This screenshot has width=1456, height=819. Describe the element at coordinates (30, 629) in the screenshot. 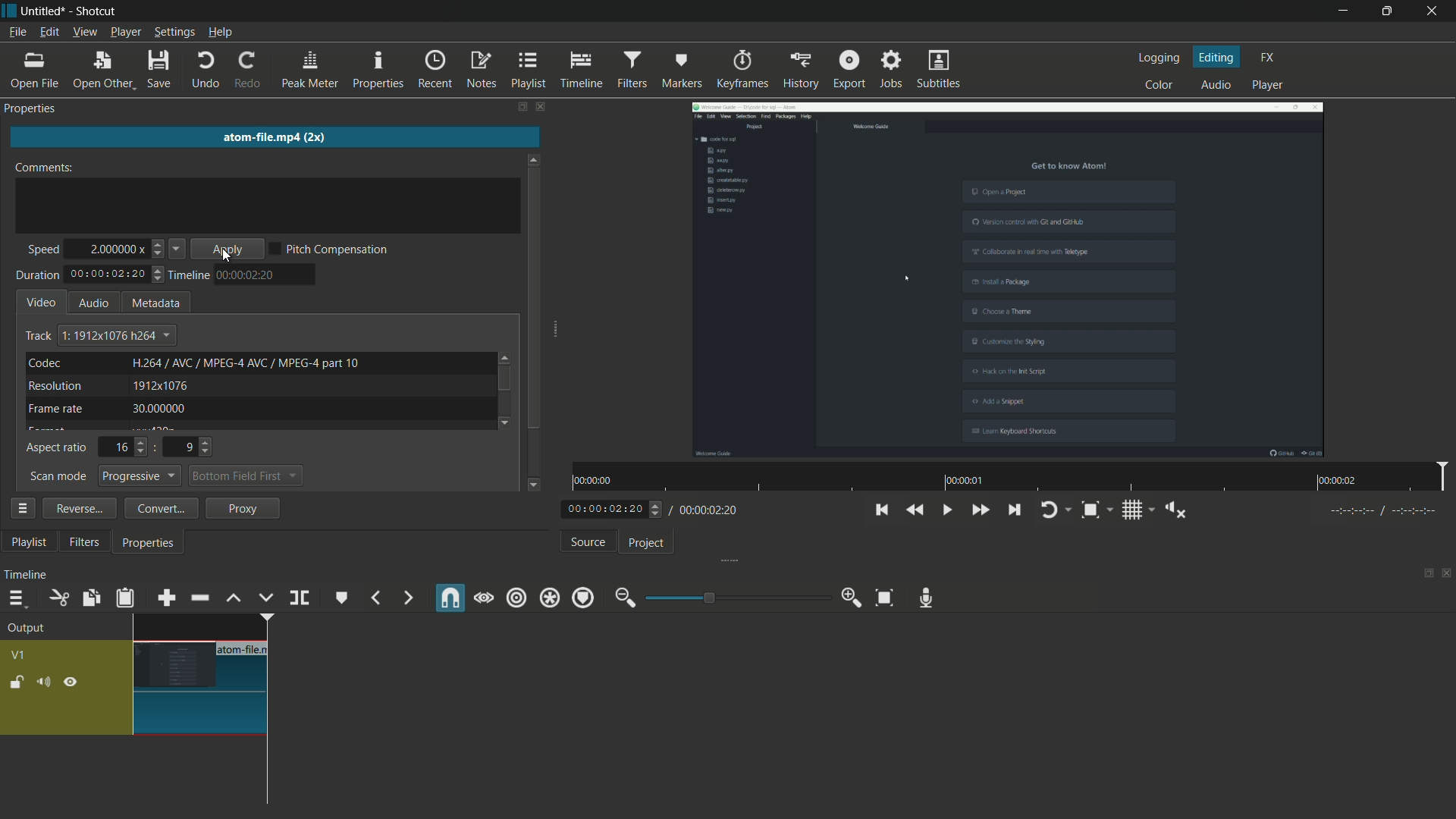

I see `output` at that location.